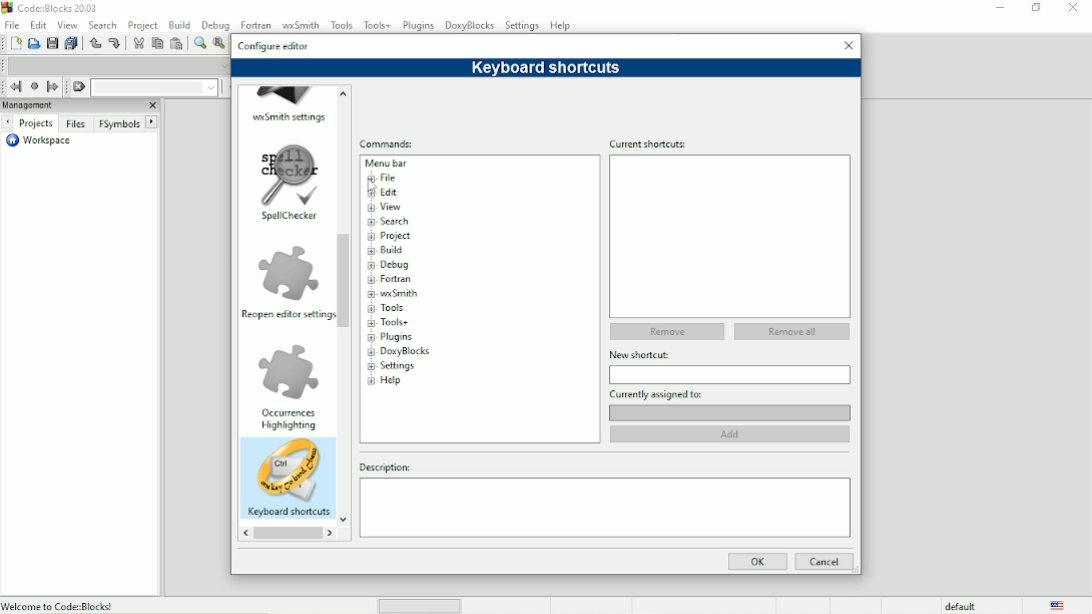 The width and height of the screenshot is (1092, 614). Describe the element at coordinates (729, 412) in the screenshot. I see `` at that location.